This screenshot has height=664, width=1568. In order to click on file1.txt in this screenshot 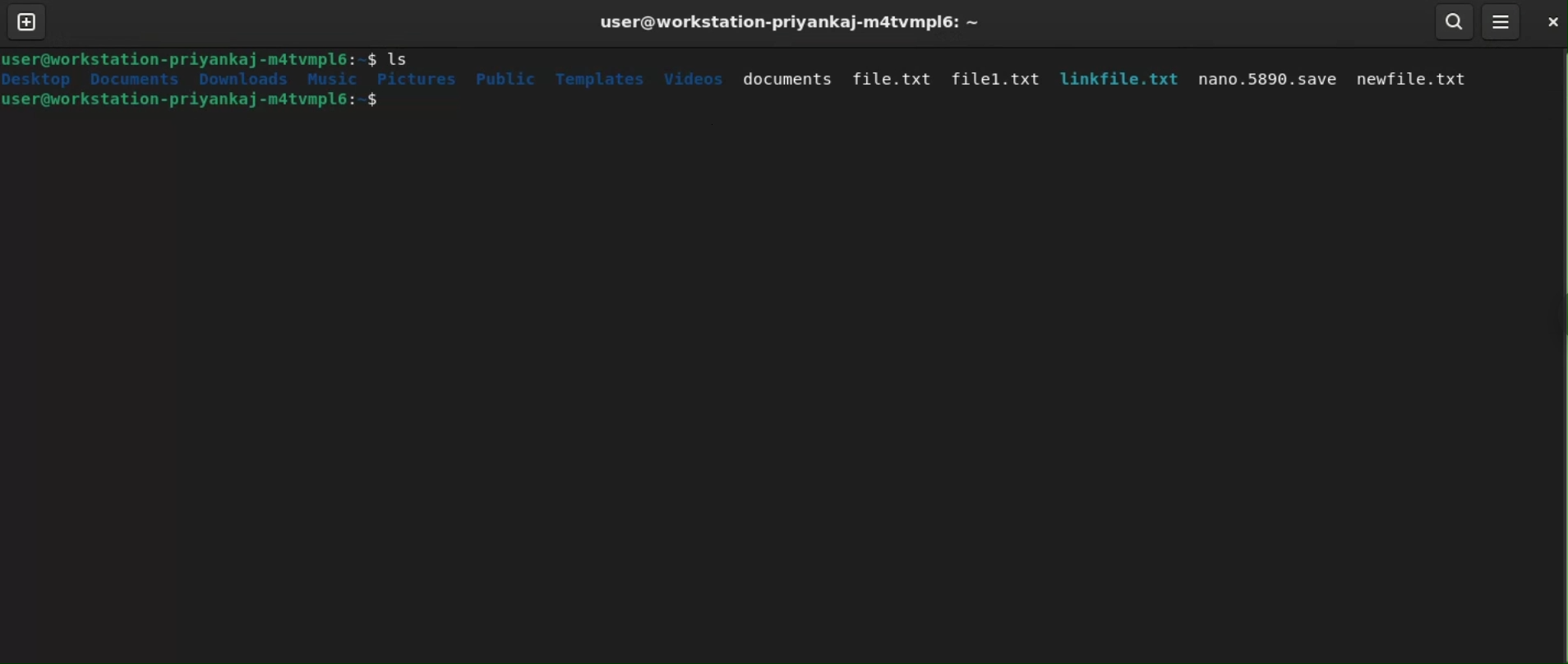, I will do `click(994, 78)`.